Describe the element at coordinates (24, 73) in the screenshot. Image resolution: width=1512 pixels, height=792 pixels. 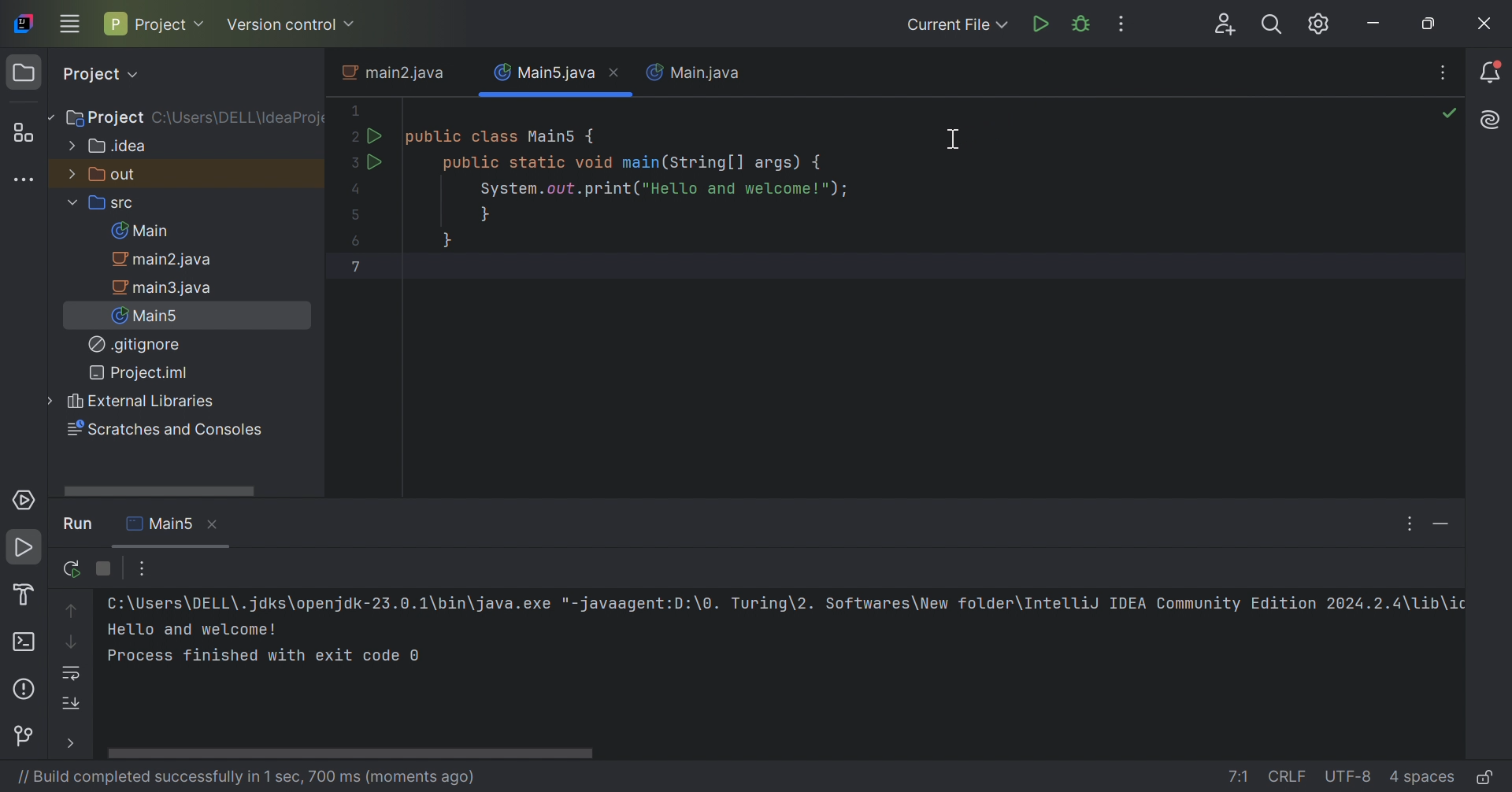
I see `Project icon` at that location.